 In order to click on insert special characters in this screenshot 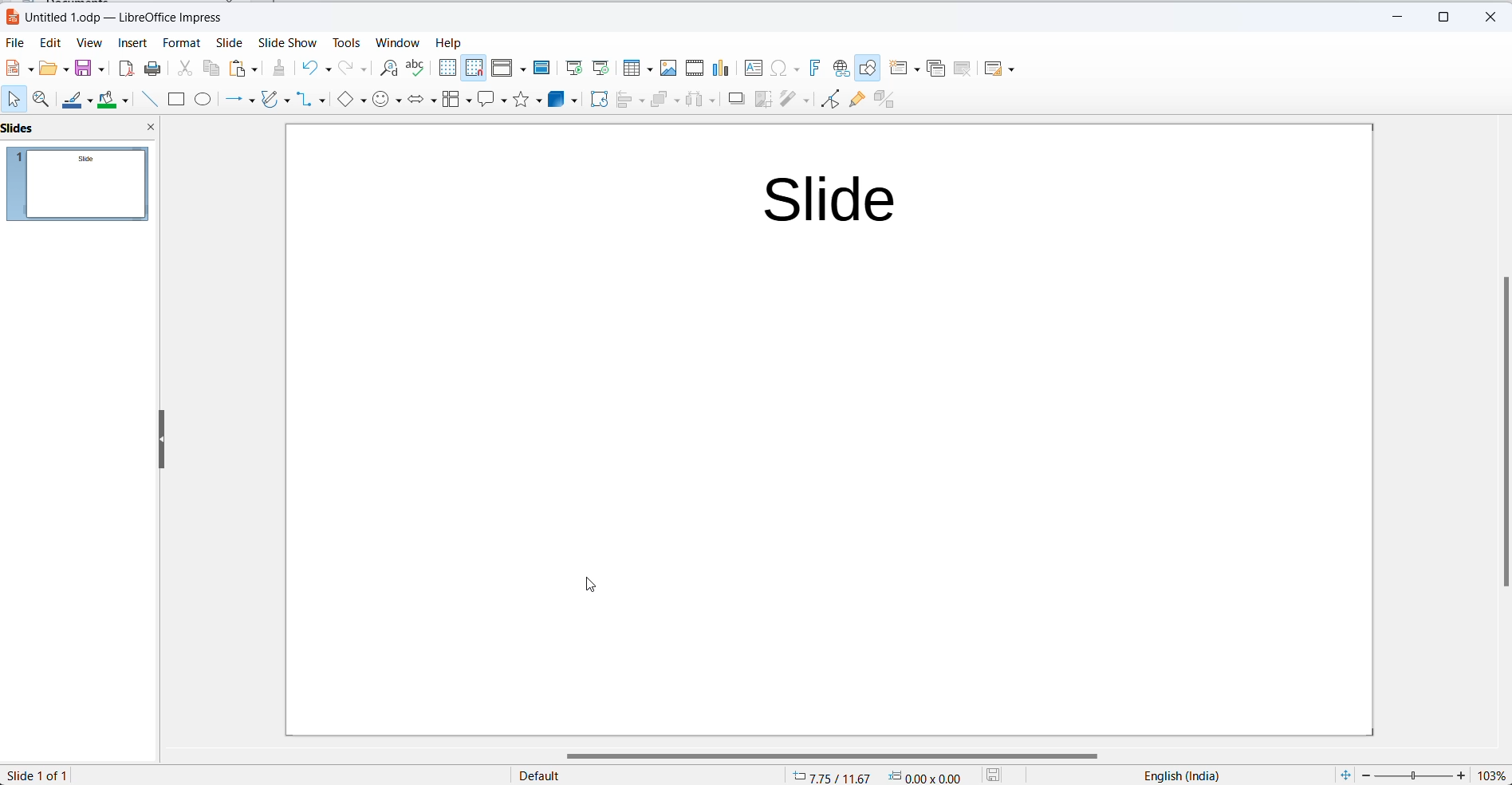, I will do `click(783, 69)`.